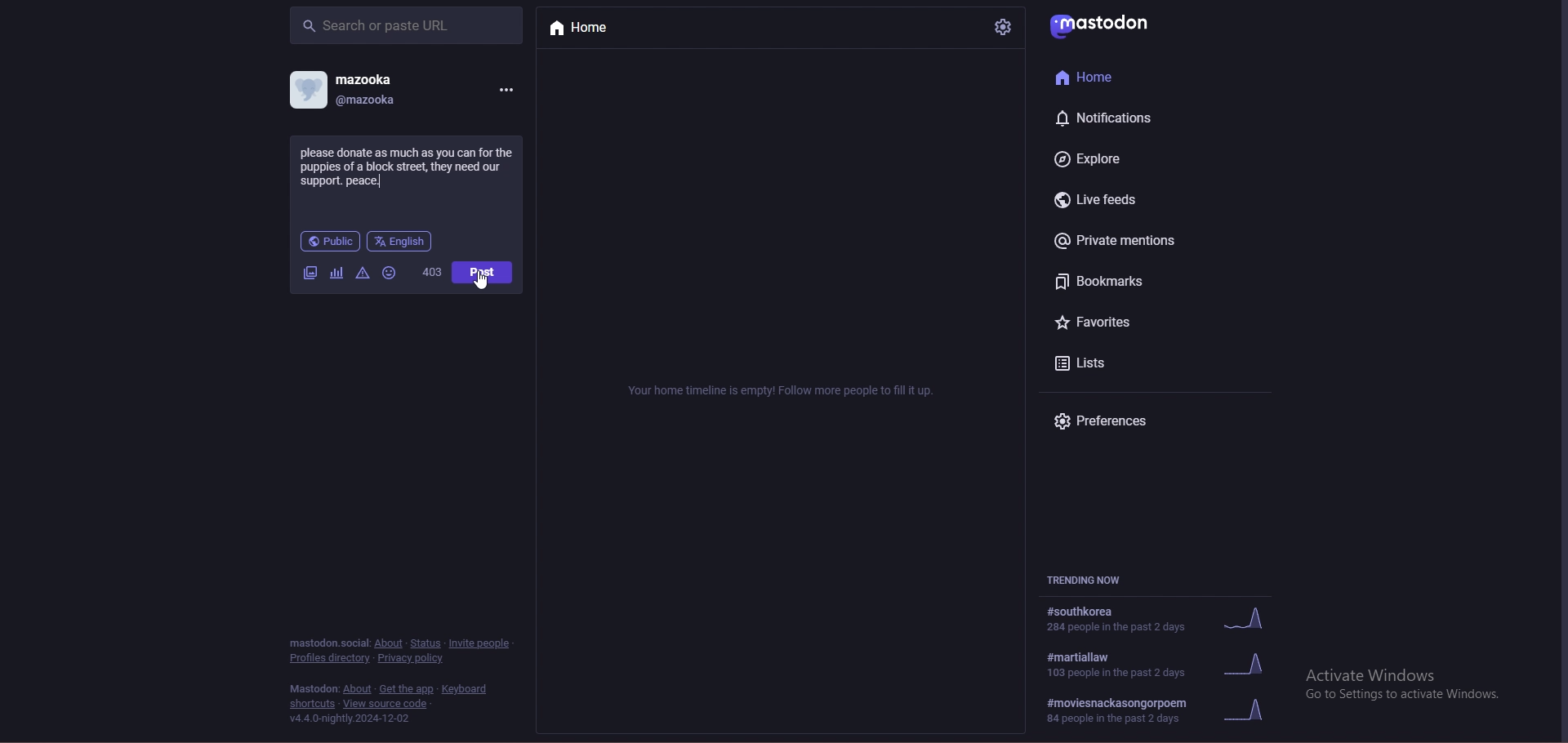  What do you see at coordinates (331, 242) in the screenshot?
I see `public` at bounding box center [331, 242].